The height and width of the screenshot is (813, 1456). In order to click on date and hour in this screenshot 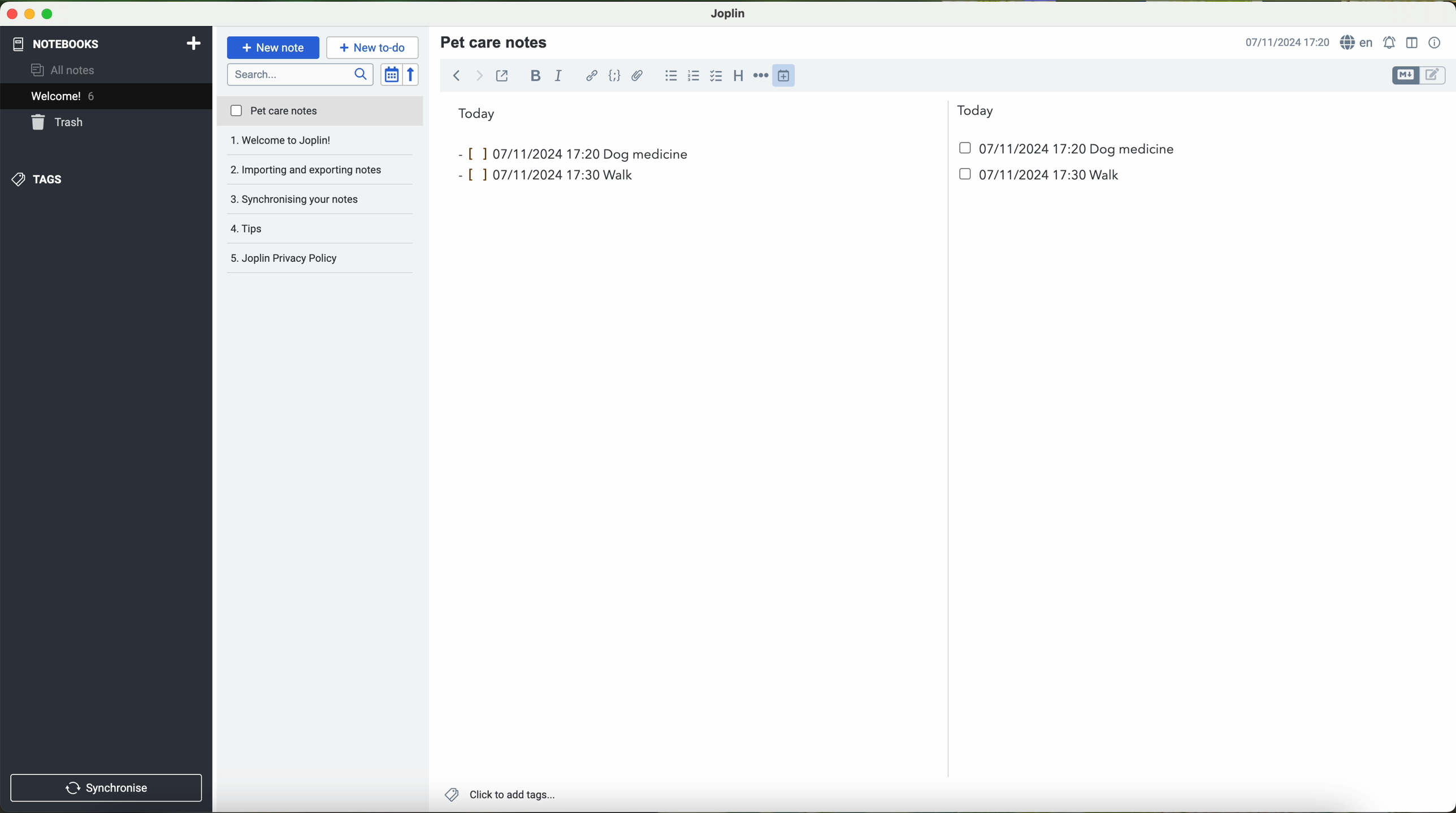, I will do `click(814, 179)`.